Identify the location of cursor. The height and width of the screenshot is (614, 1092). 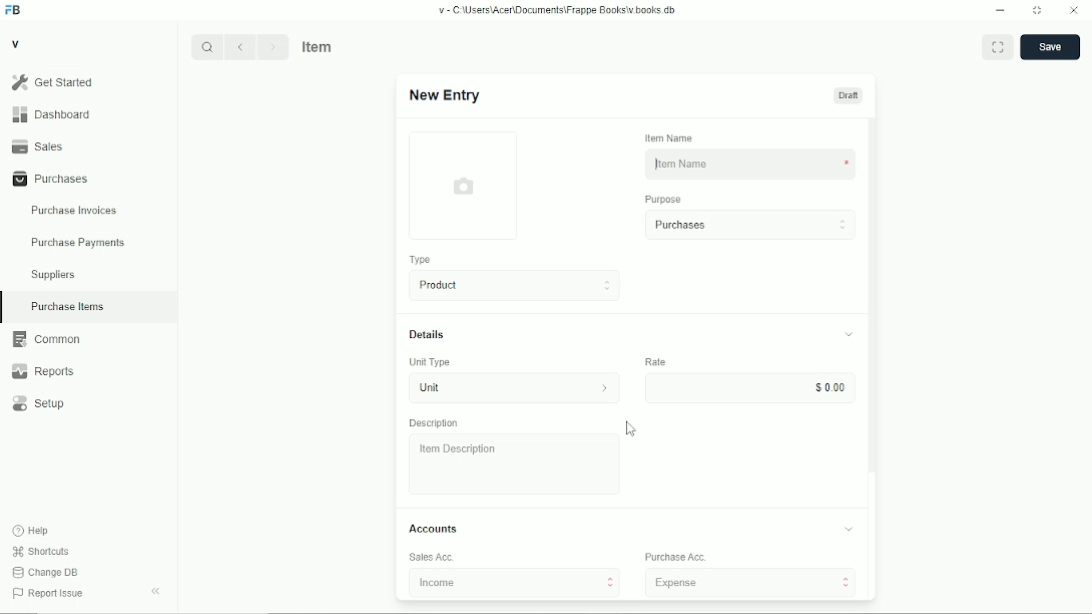
(631, 428).